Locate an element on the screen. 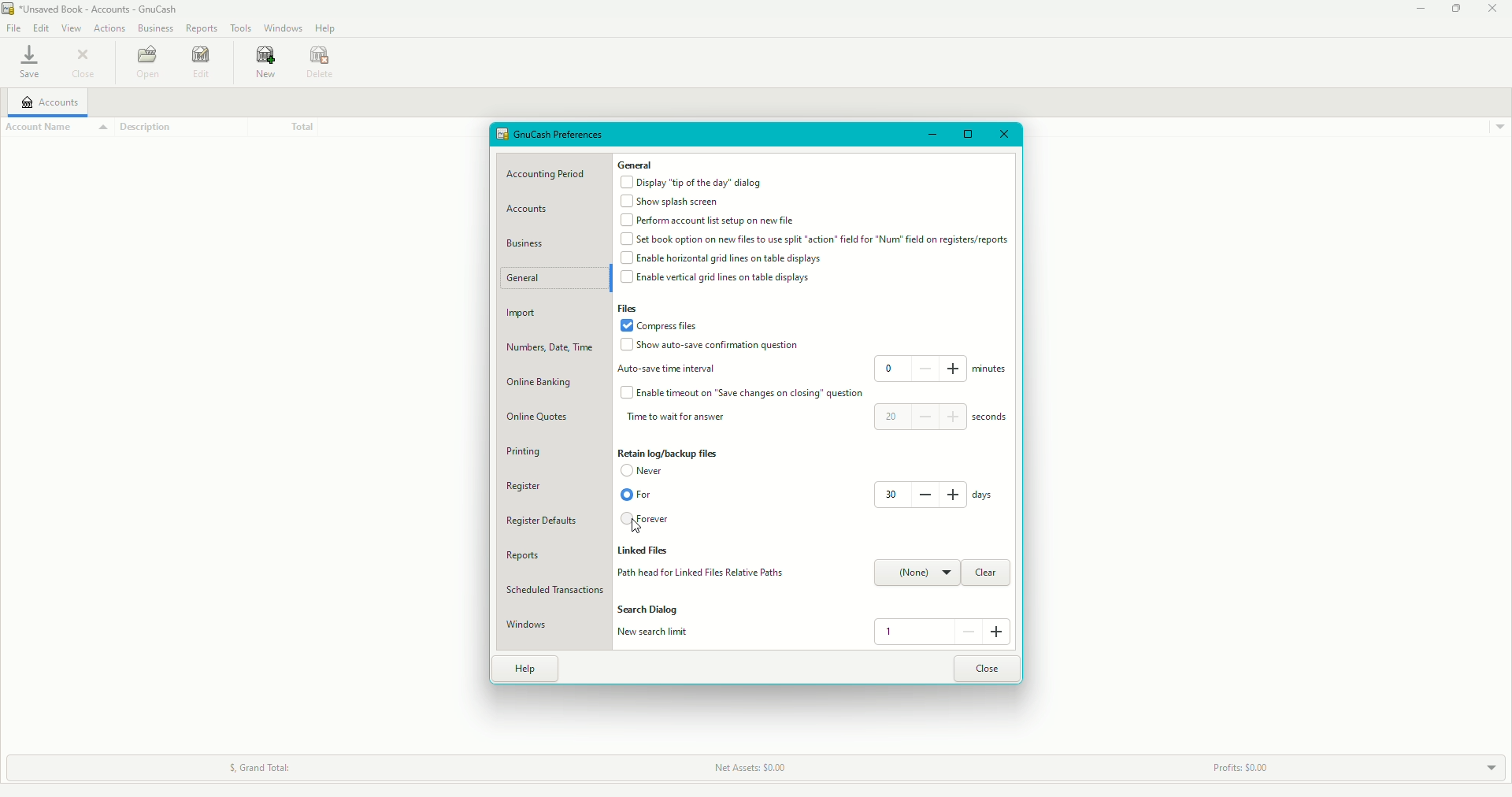 The image size is (1512, 797). seconds is located at coordinates (994, 418).